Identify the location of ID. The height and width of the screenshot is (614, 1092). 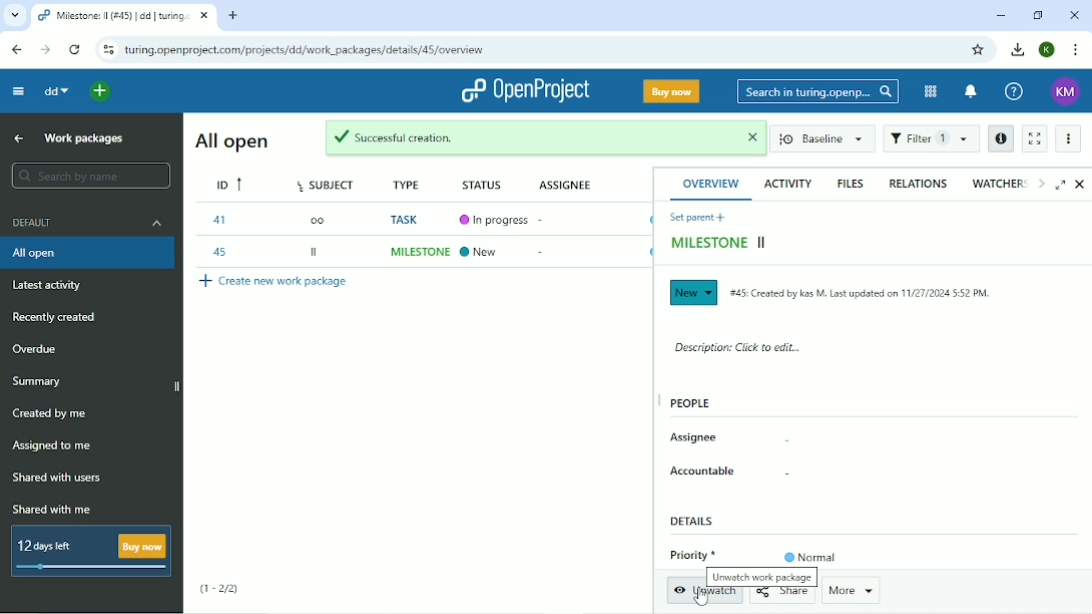
(231, 184).